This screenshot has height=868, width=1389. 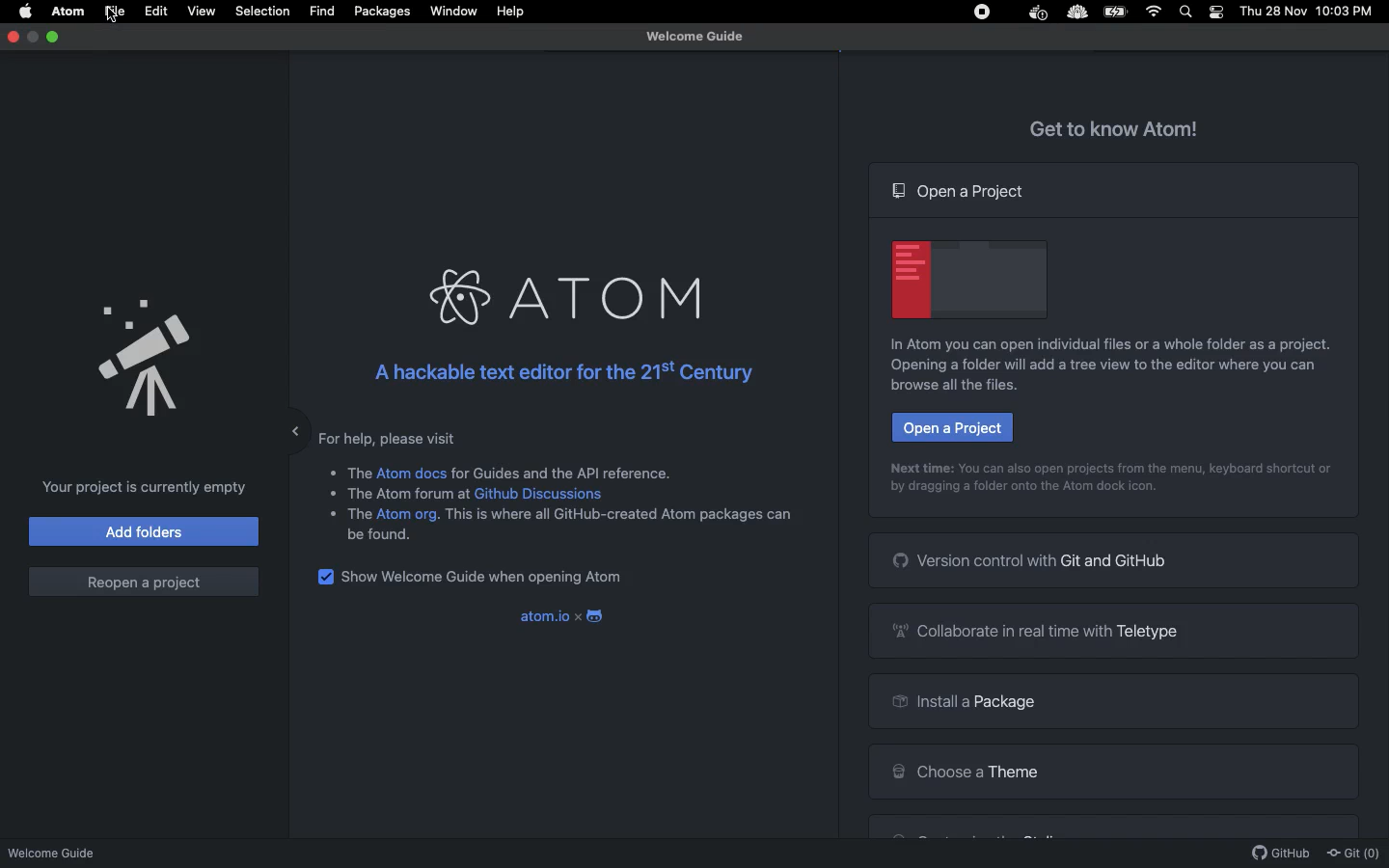 I want to click on Edit, so click(x=157, y=12).